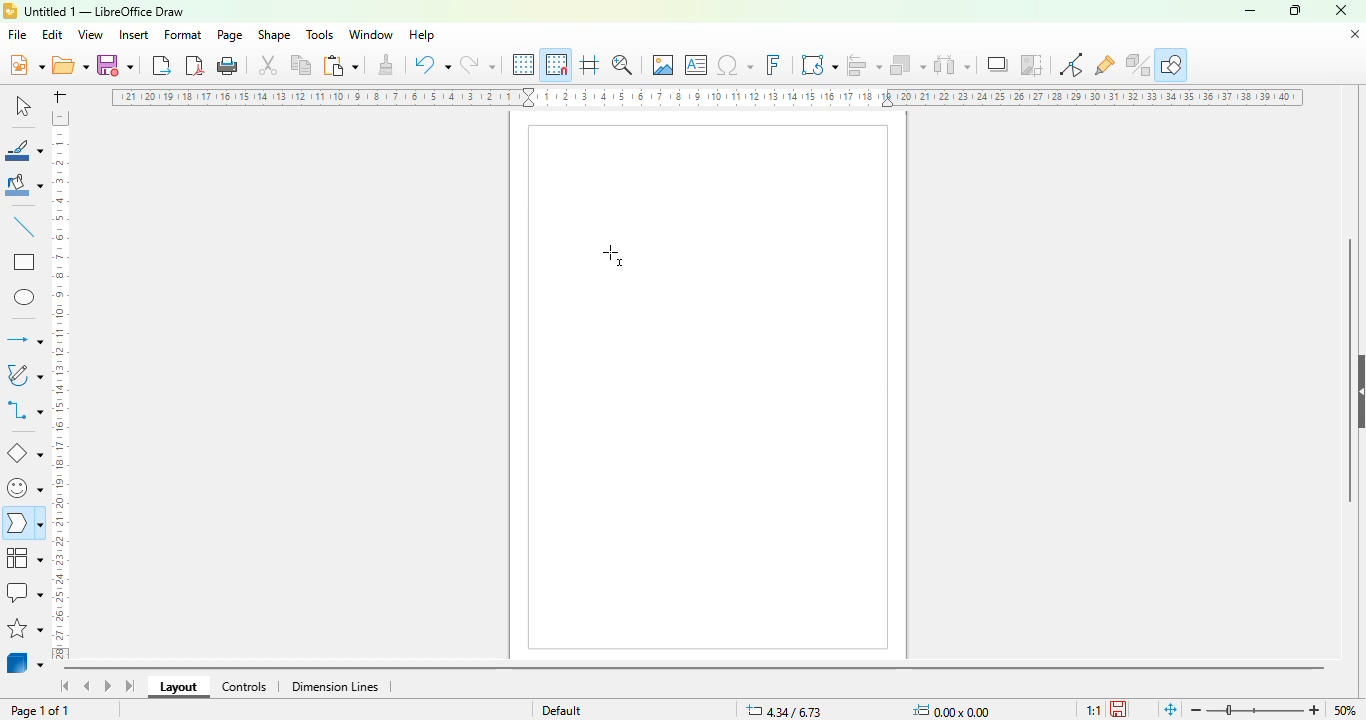 This screenshot has height=720, width=1366. Describe the element at coordinates (24, 149) in the screenshot. I see `line color` at that location.